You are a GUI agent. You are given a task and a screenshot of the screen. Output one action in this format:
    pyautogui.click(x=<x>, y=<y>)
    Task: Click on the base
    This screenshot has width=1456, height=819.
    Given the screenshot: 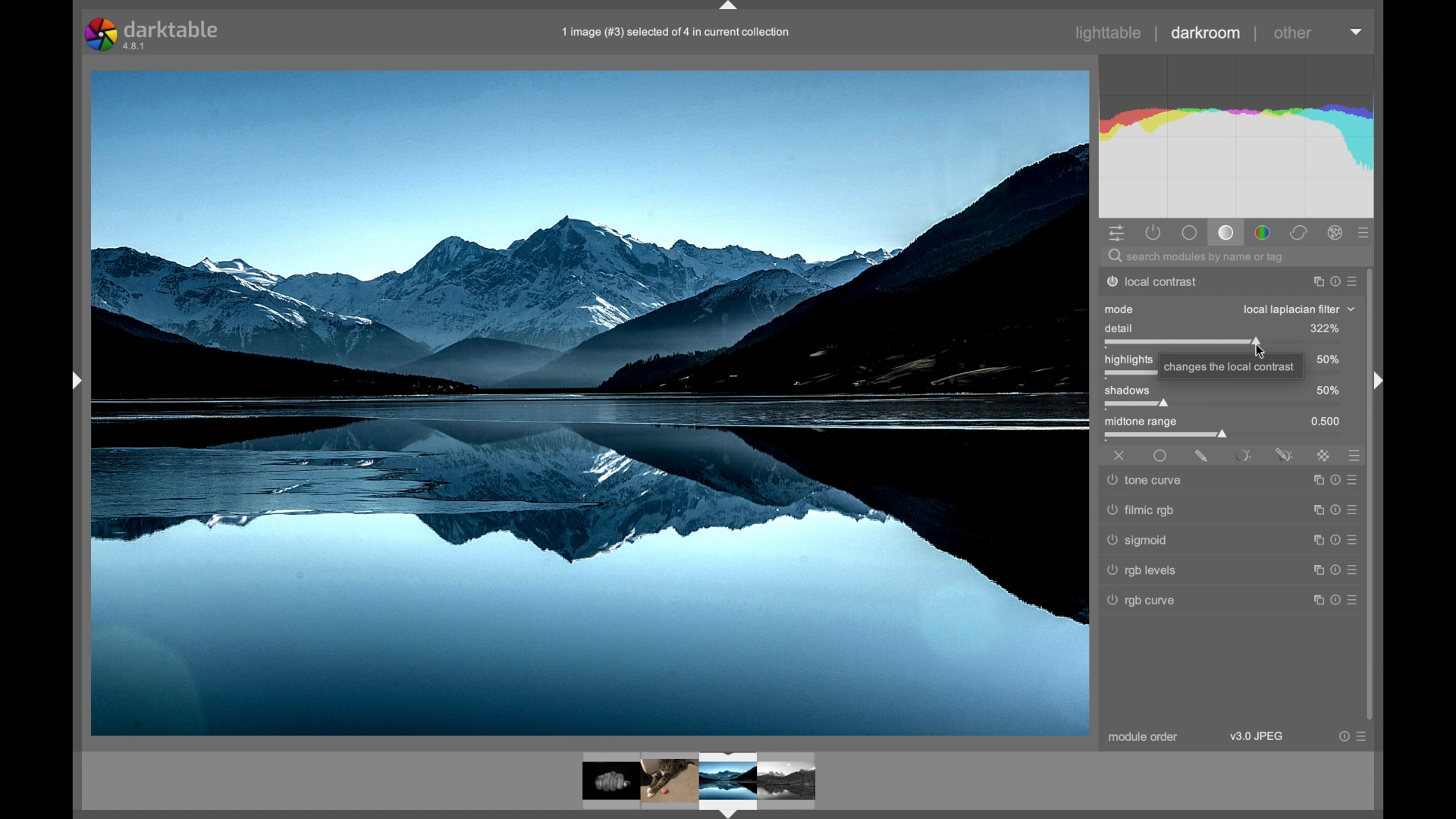 What is the action you would take?
    pyautogui.click(x=1189, y=233)
    